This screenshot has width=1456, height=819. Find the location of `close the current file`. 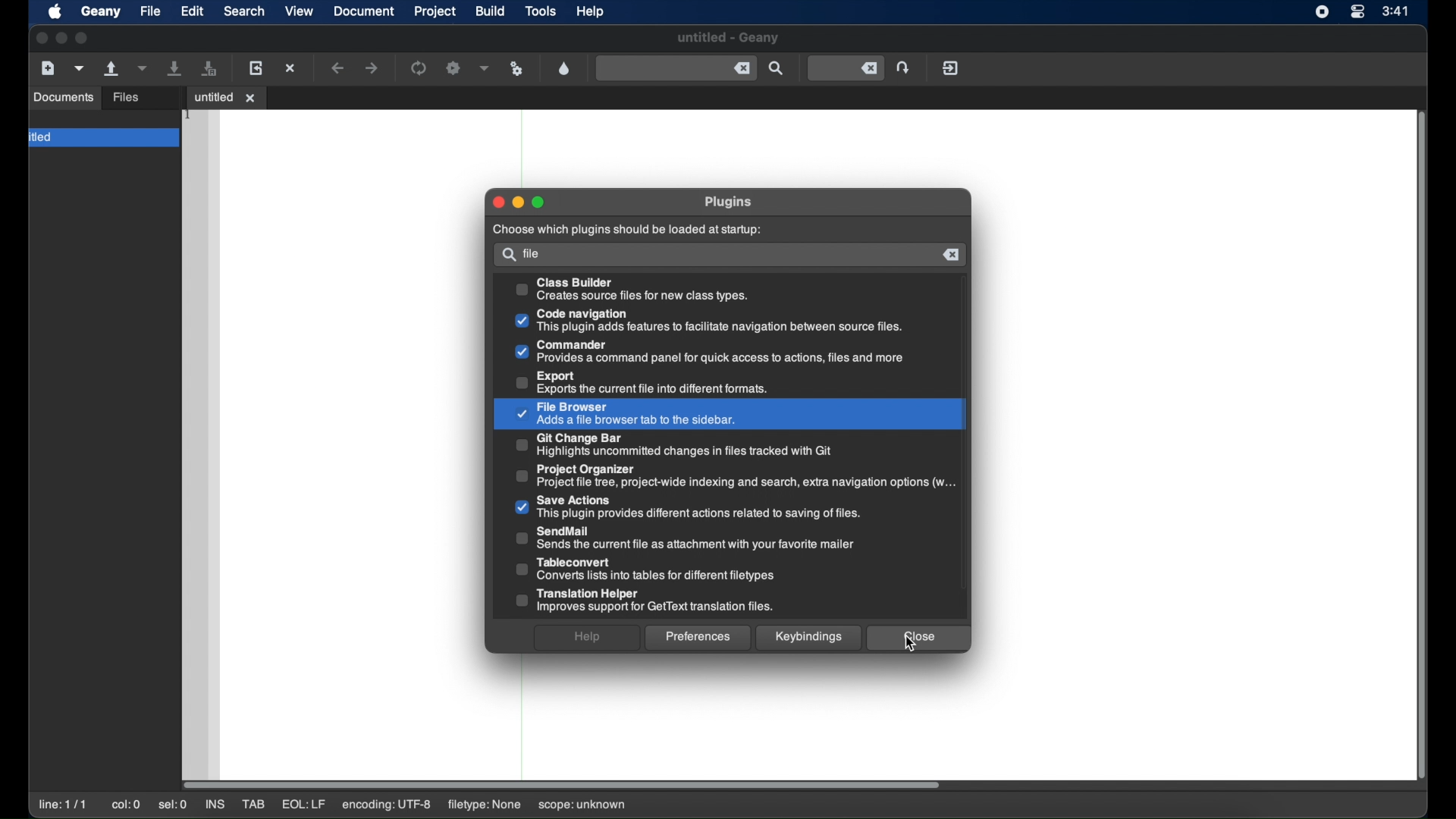

close the current file is located at coordinates (291, 67).